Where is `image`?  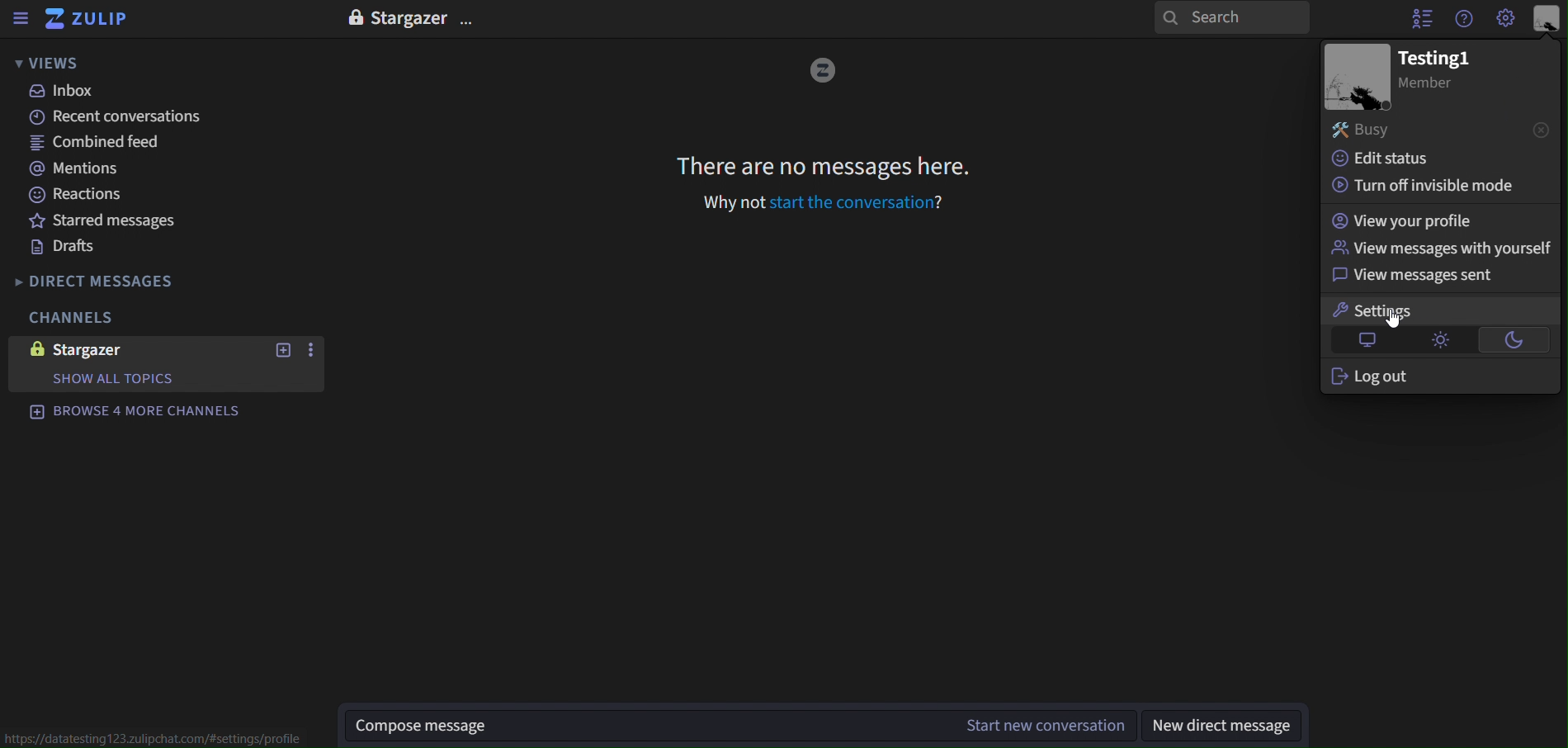
image is located at coordinates (1409, 77).